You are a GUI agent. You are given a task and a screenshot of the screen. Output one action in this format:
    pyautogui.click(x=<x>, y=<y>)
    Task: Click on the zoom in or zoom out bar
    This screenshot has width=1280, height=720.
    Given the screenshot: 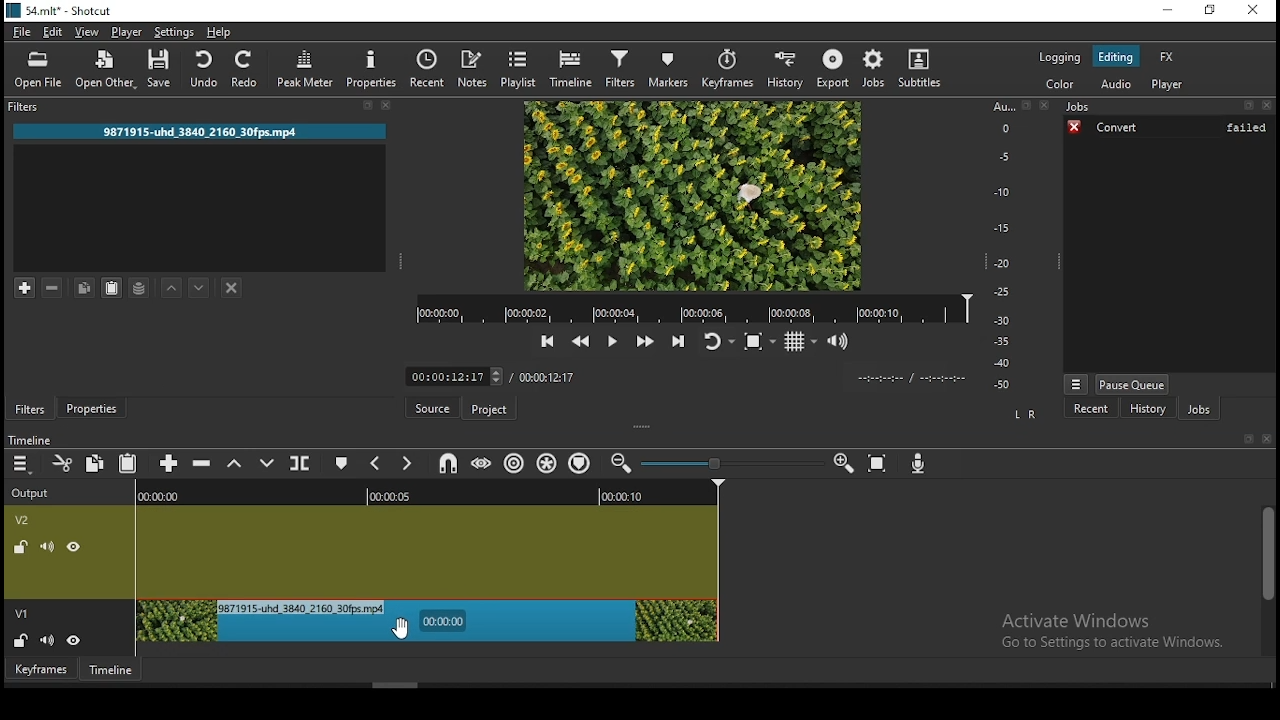 What is the action you would take?
    pyautogui.click(x=727, y=462)
    